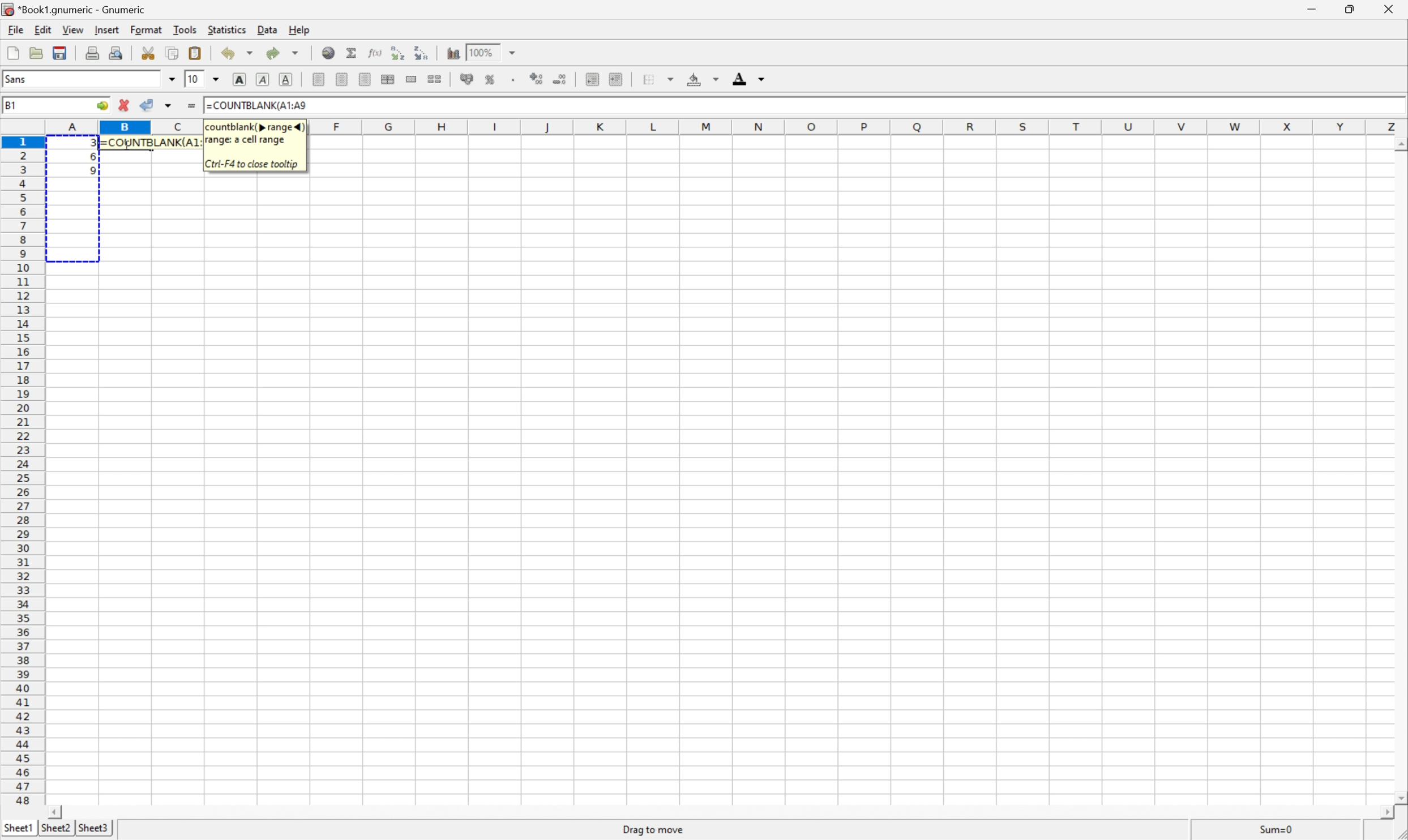  I want to click on Center horizontally, so click(341, 79).